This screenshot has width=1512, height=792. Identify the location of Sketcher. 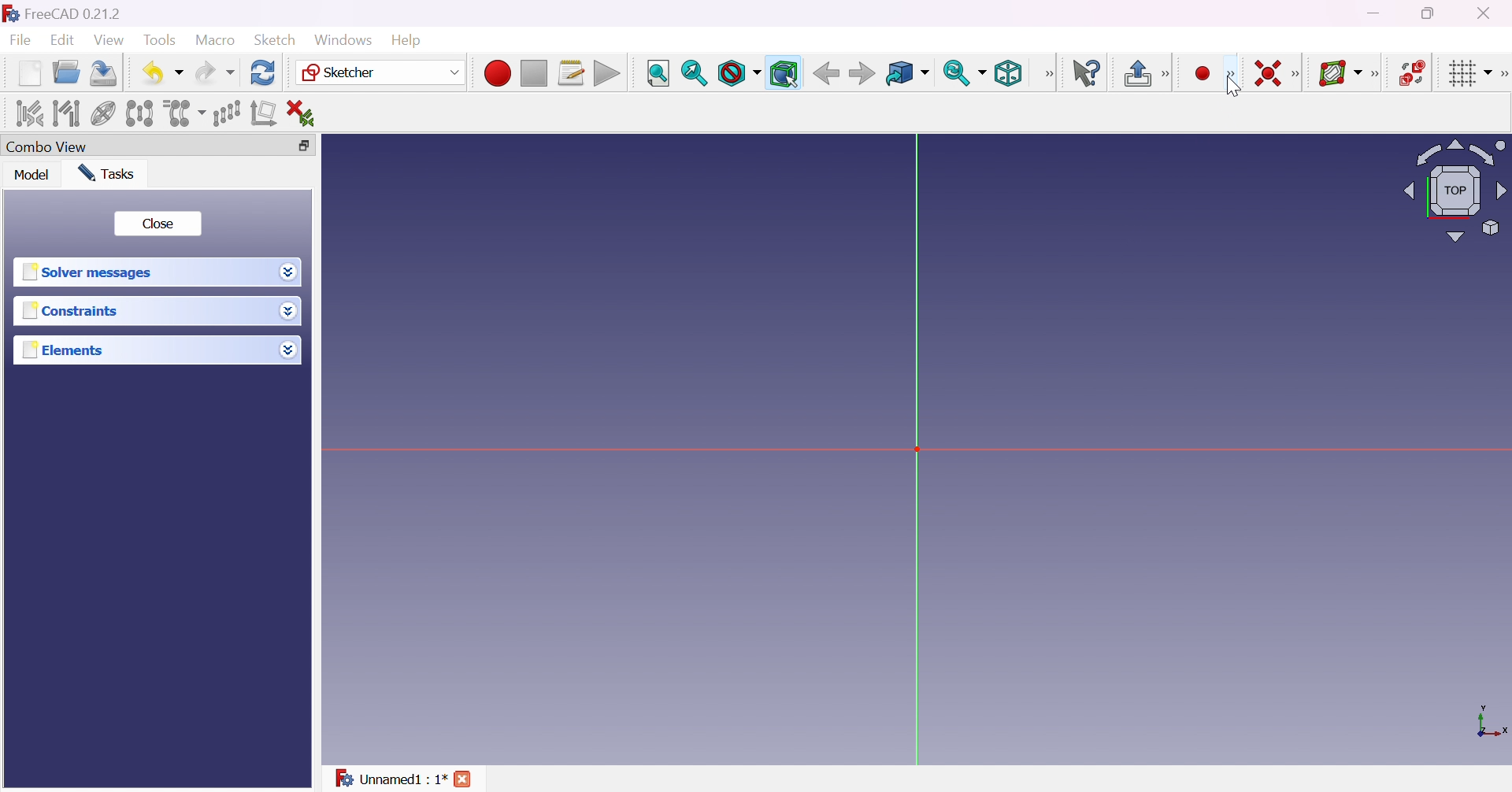
(378, 72).